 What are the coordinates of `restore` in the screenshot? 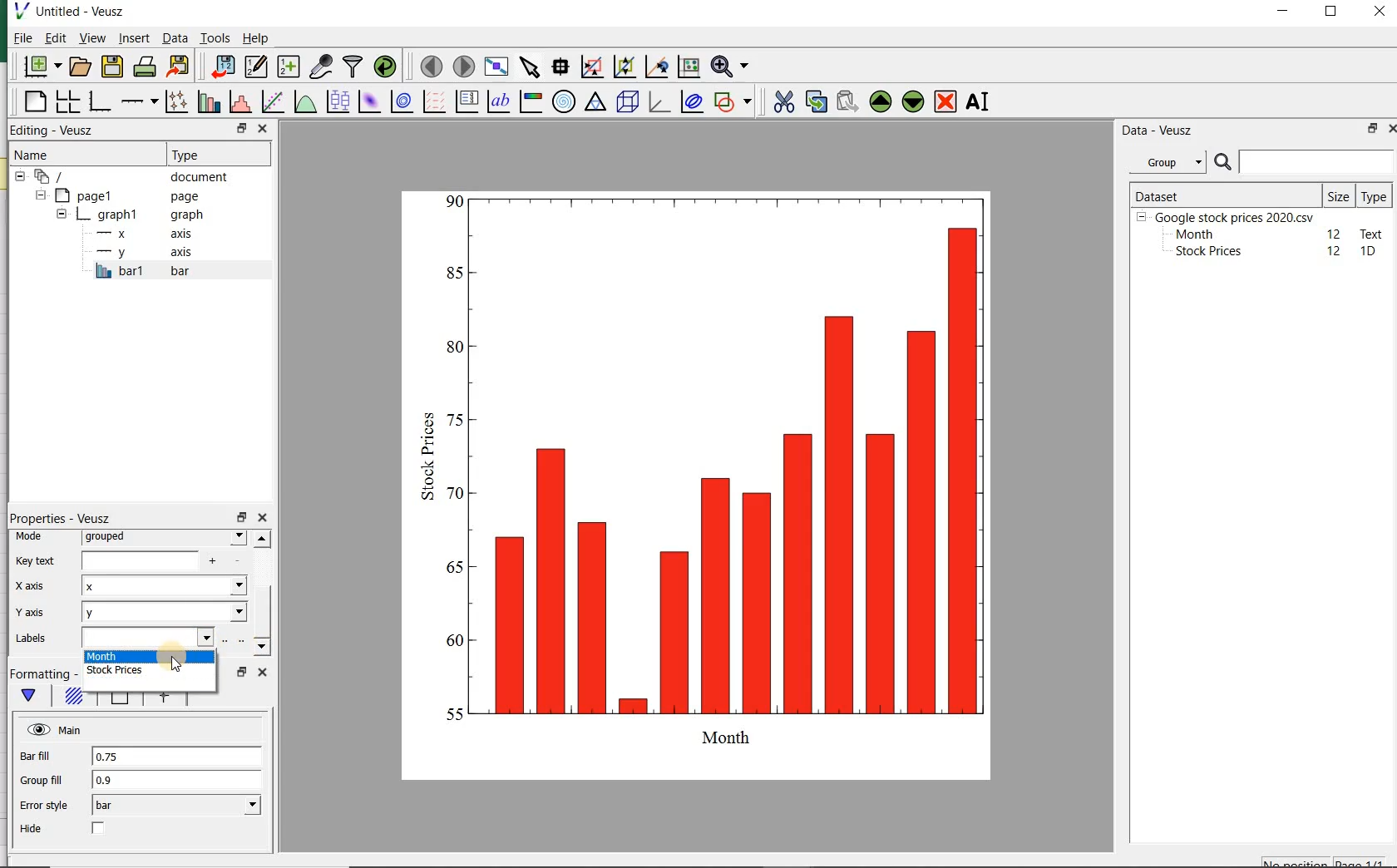 It's located at (242, 129).